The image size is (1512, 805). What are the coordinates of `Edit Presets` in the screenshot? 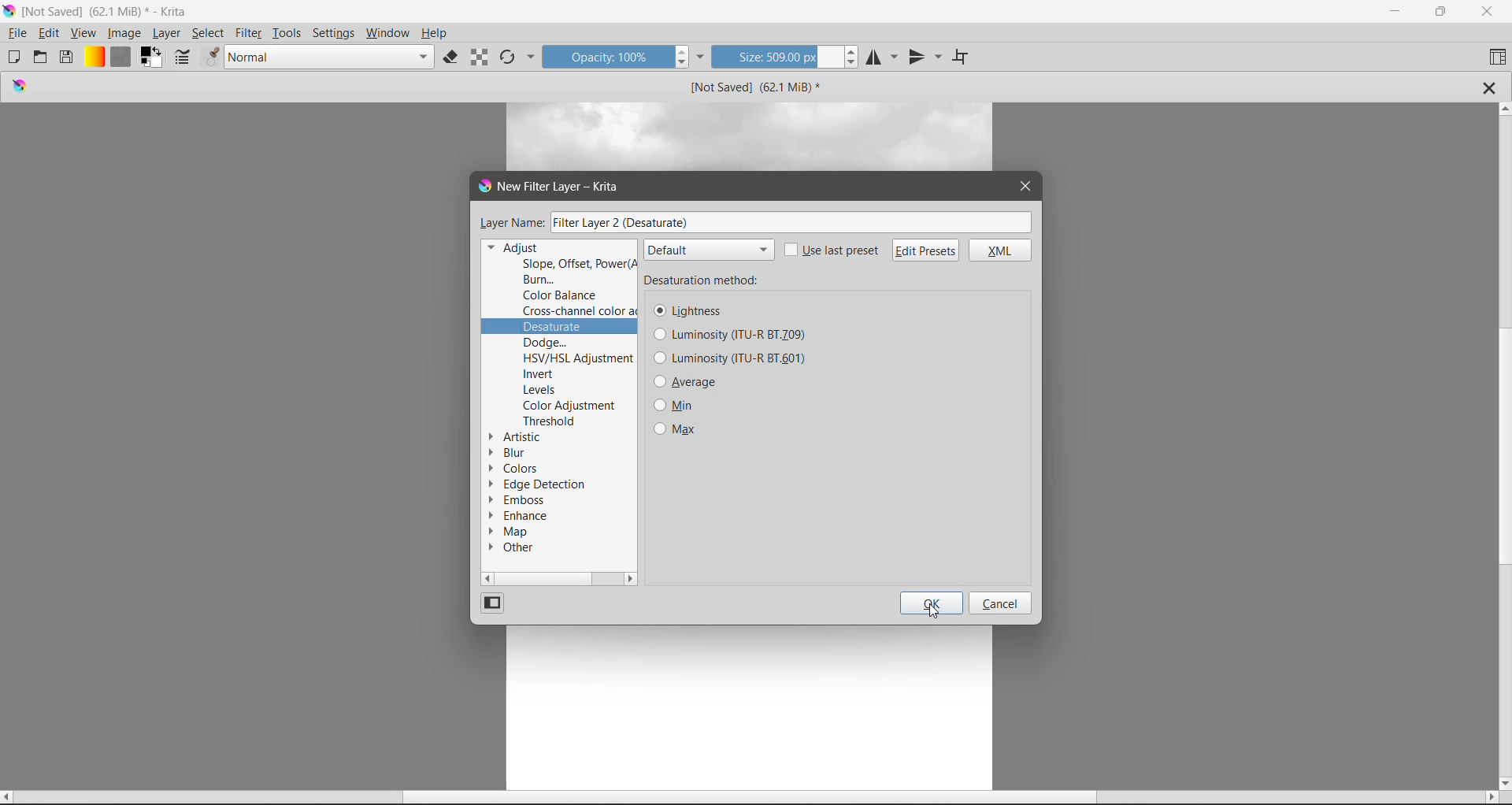 It's located at (928, 250).